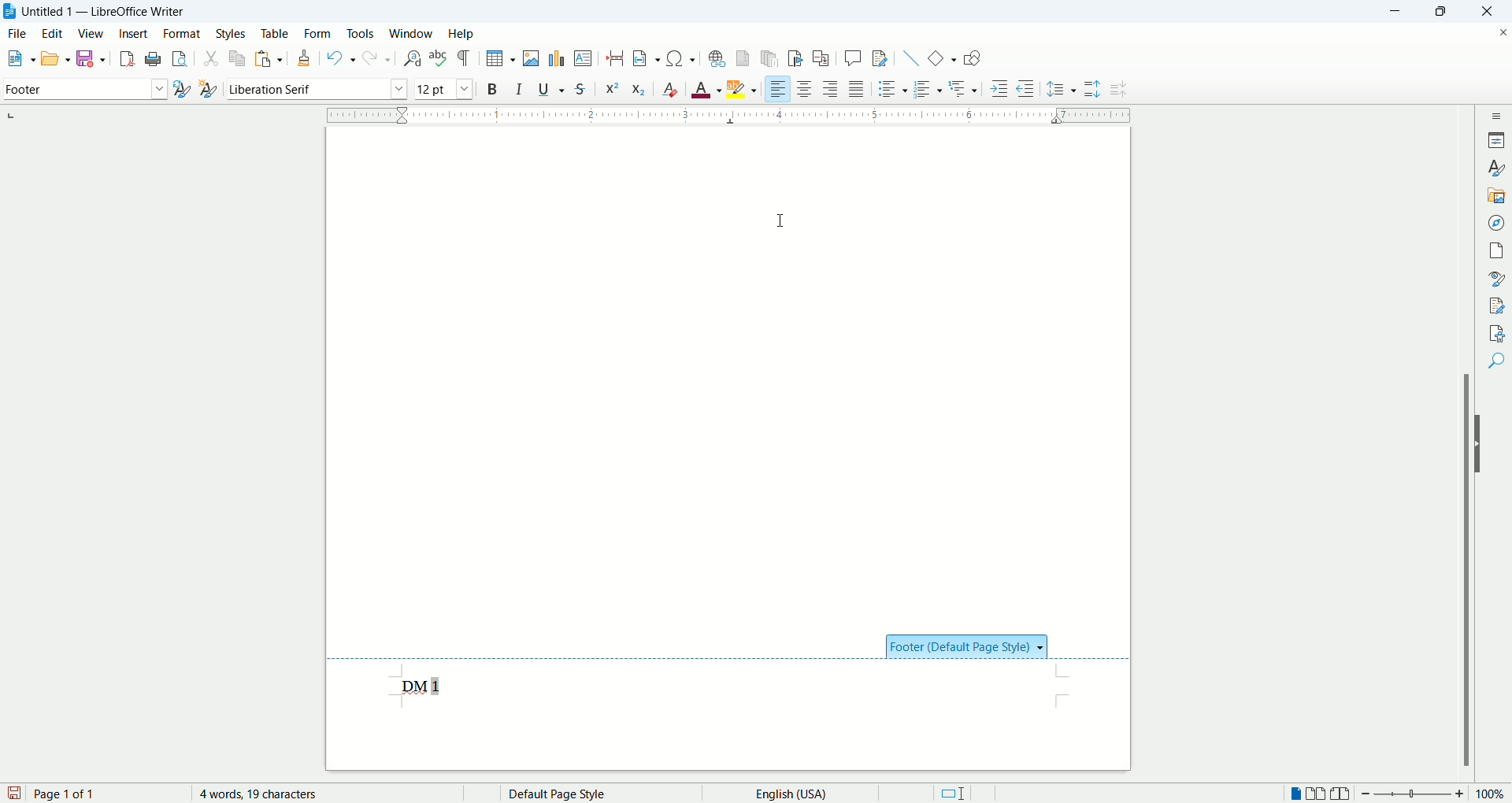  I want to click on scroll bar, so click(1469, 442).